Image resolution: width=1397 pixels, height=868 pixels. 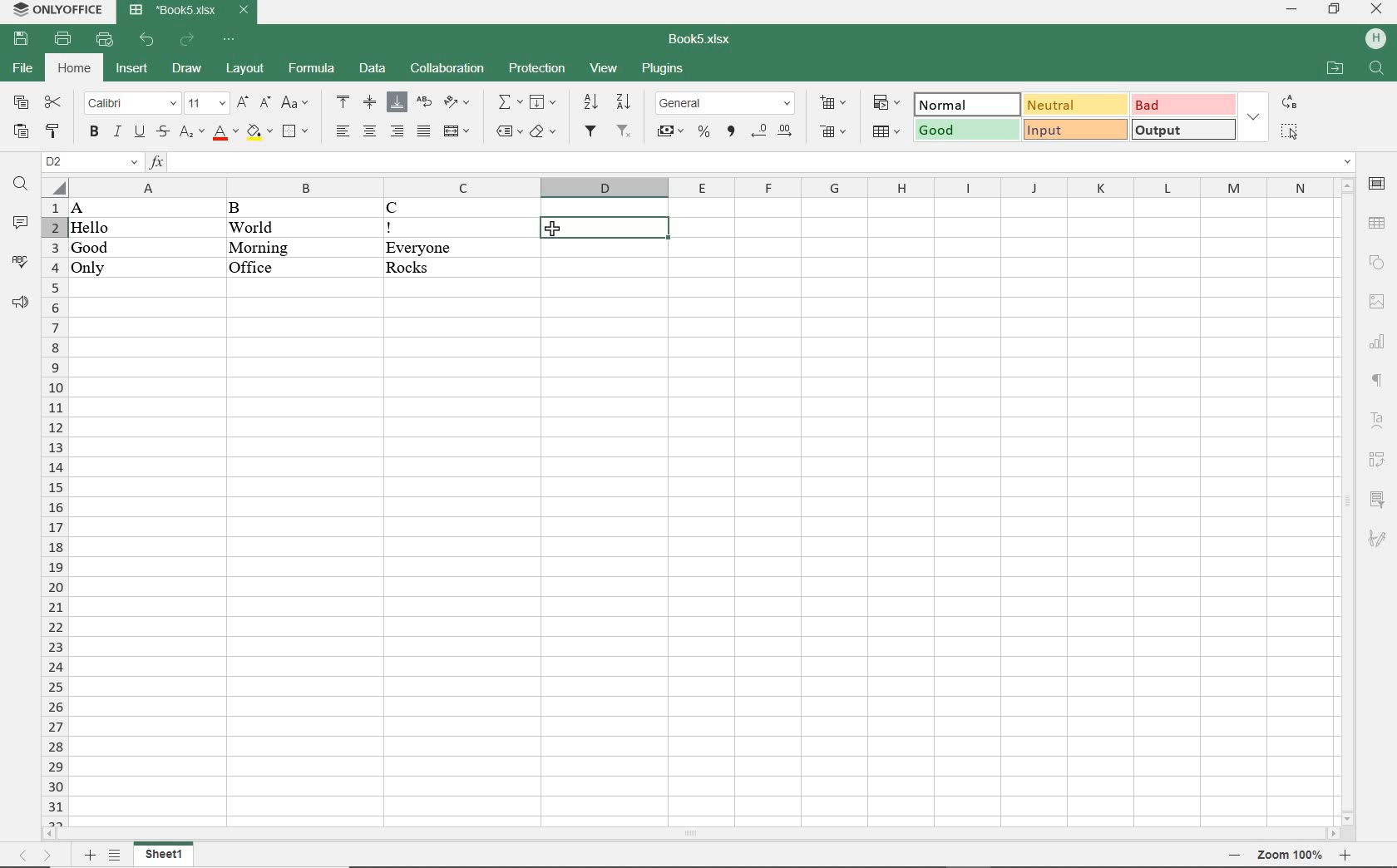 I want to click on format as table, so click(x=885, y=131).